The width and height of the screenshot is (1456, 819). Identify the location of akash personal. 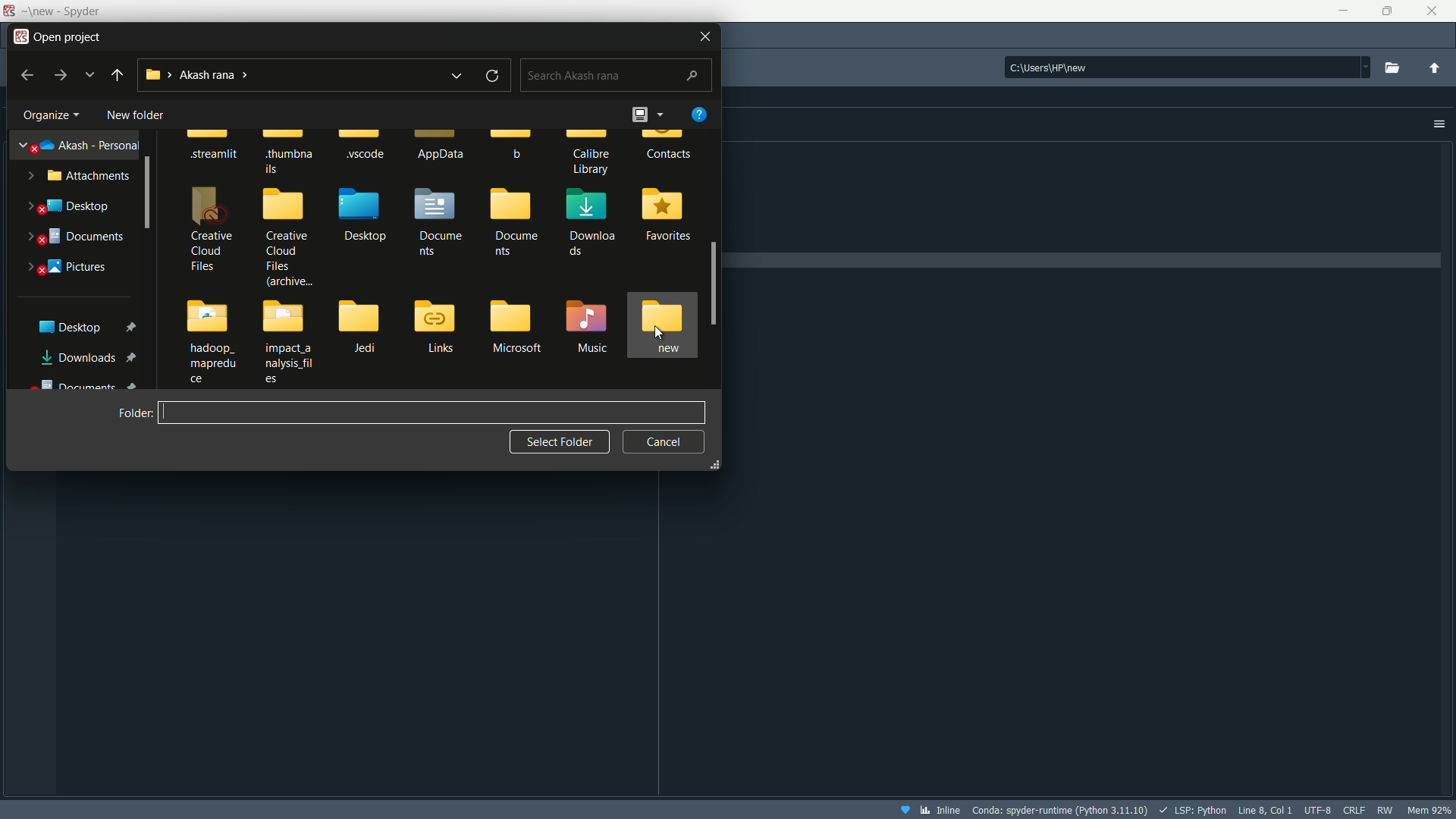
(81, 143).